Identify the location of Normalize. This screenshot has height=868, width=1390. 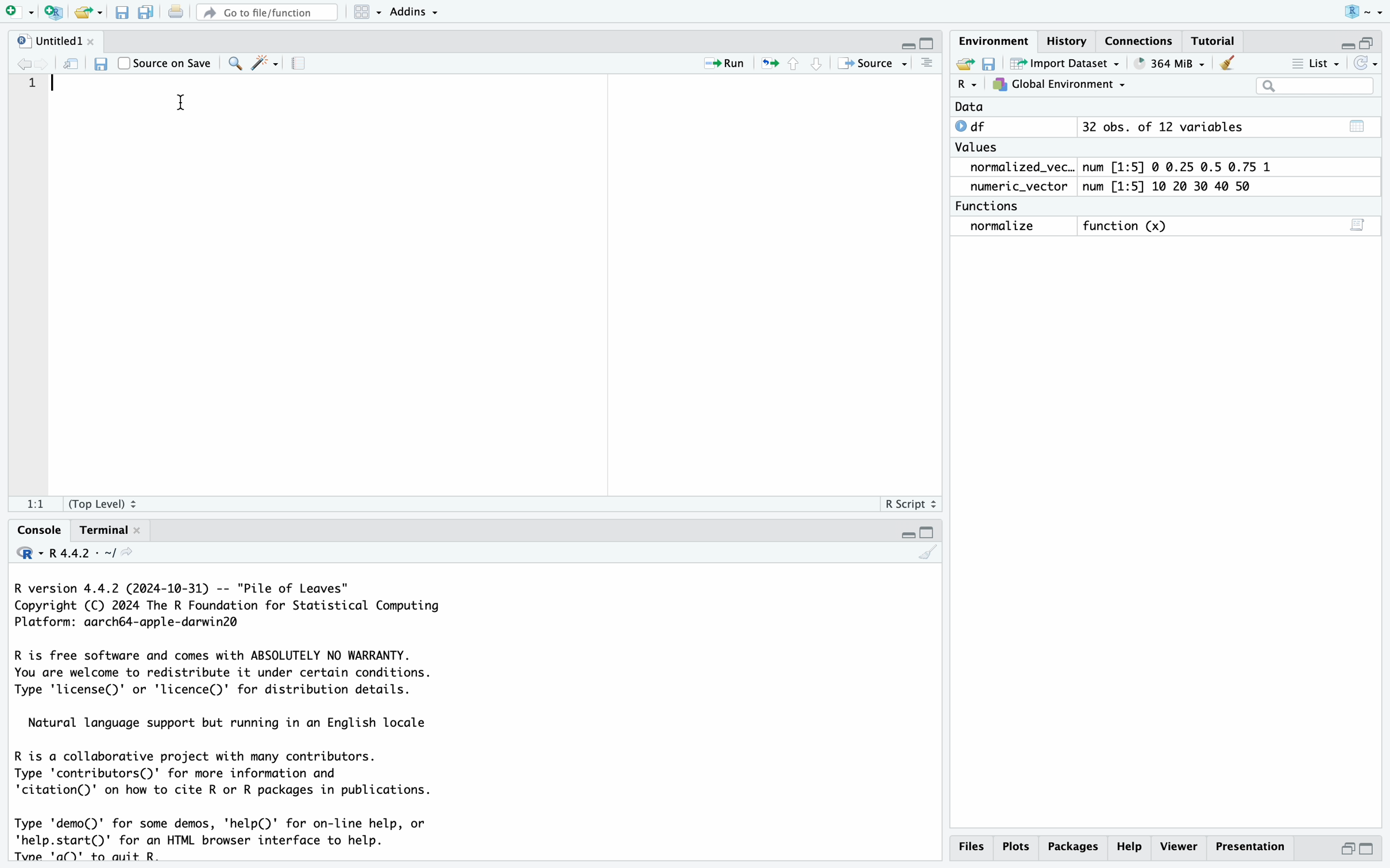
(1004, 227).